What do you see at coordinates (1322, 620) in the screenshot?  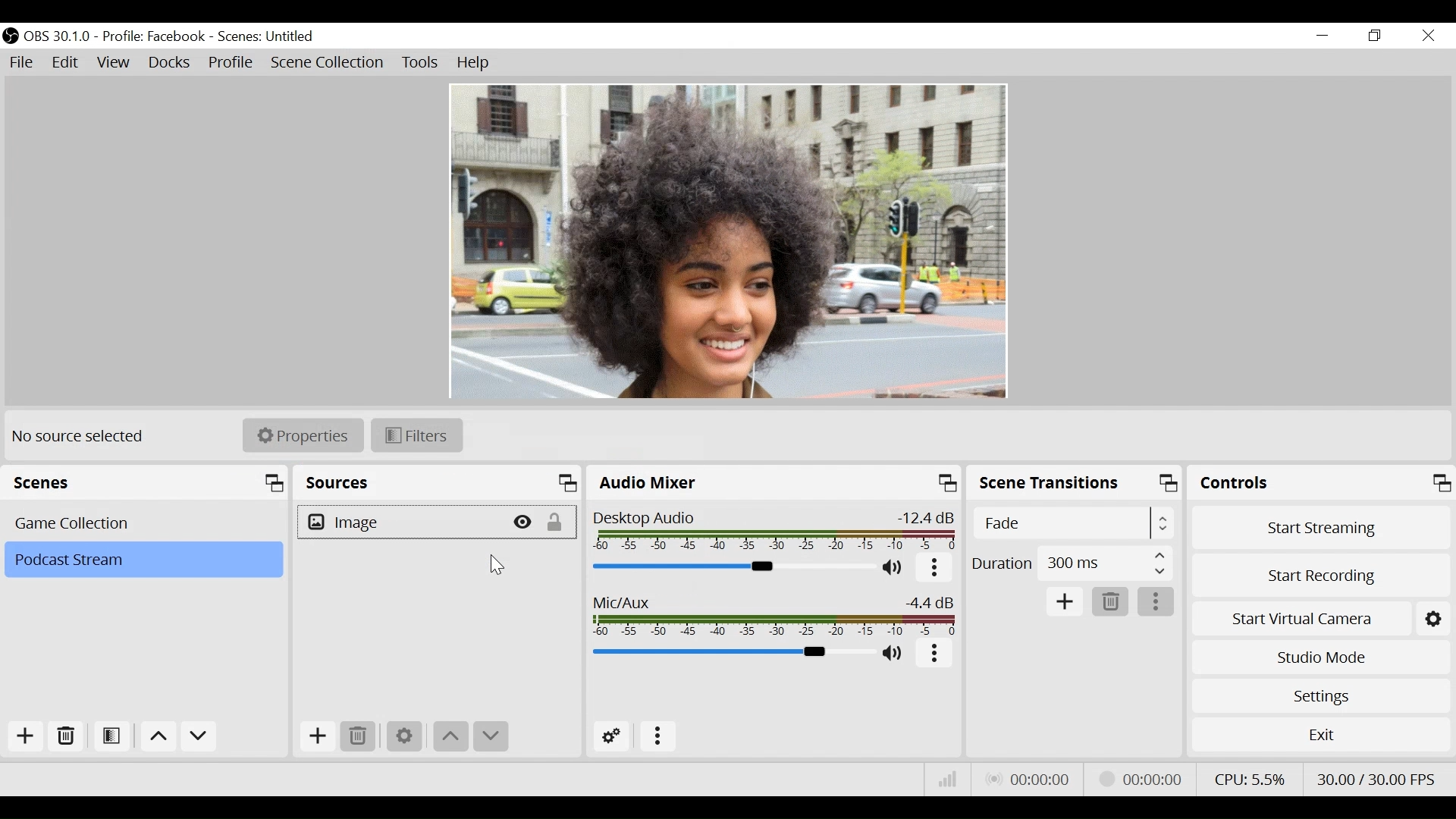 I see `Start Virtual Camera` at bounding box center [1322, 620].